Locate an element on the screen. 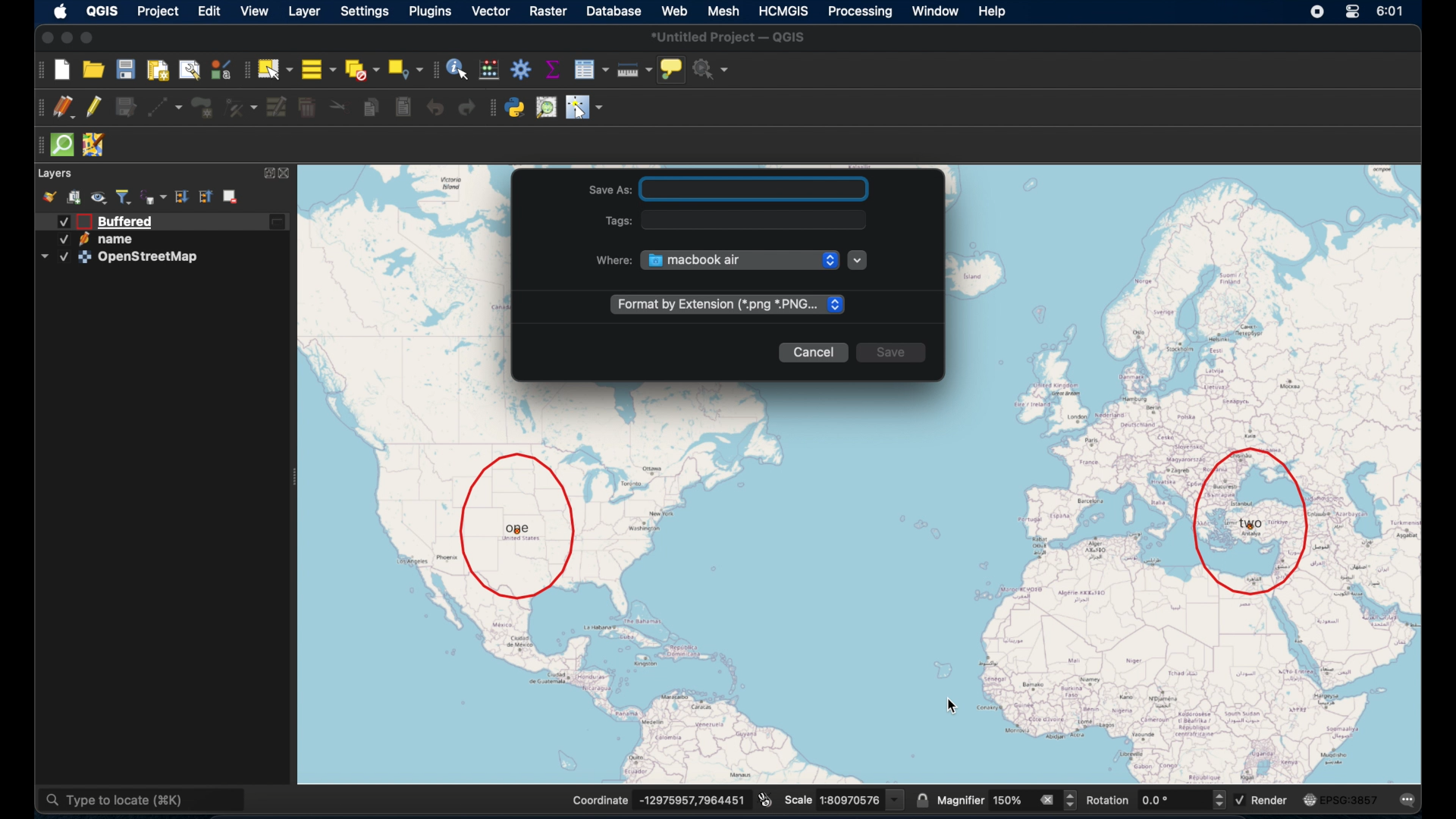 This screenshot has height=819, width=1456. show map tips is located at coordinates (673, 69).